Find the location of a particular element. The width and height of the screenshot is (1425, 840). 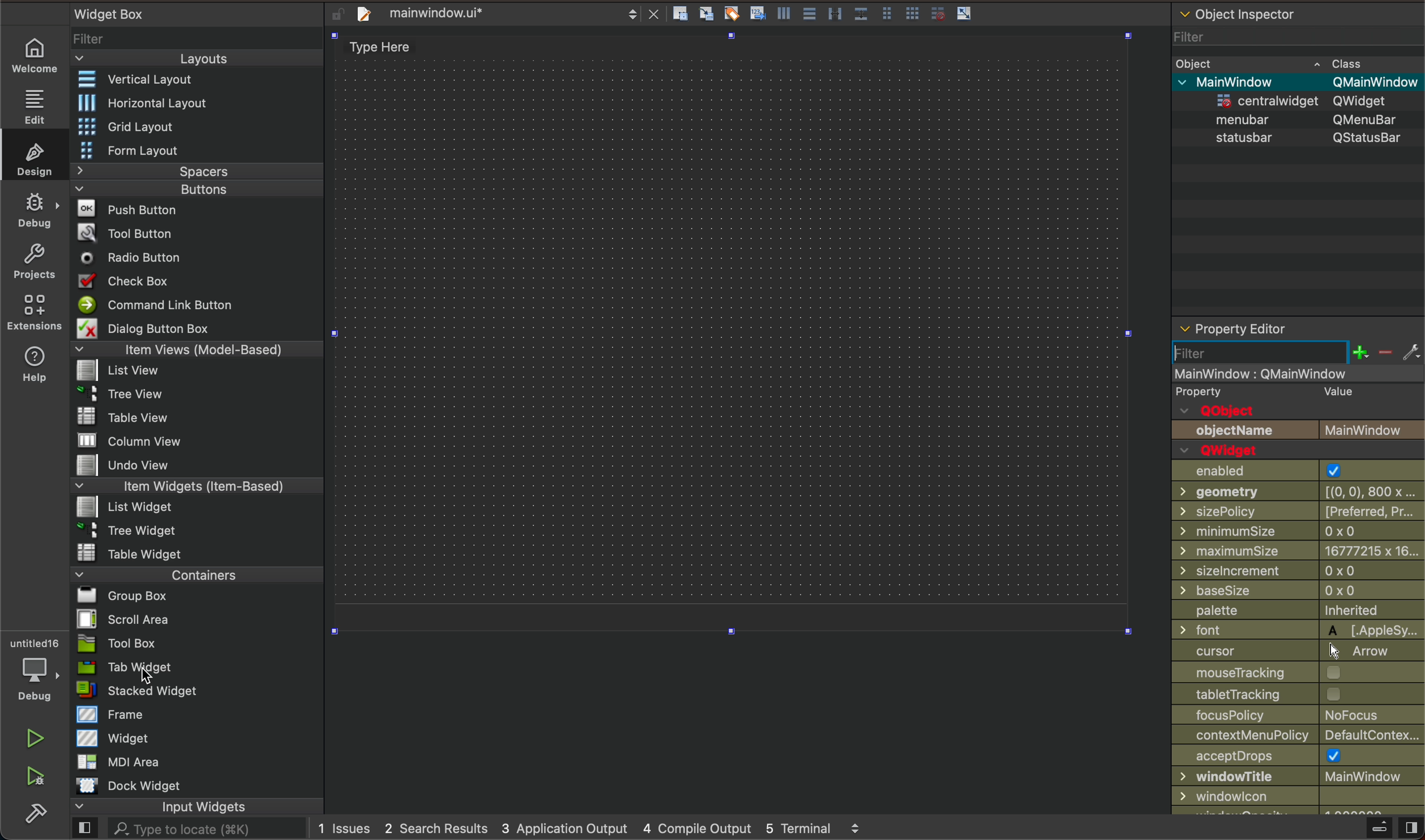

stacked Widget is located at coordinates (140, 690).